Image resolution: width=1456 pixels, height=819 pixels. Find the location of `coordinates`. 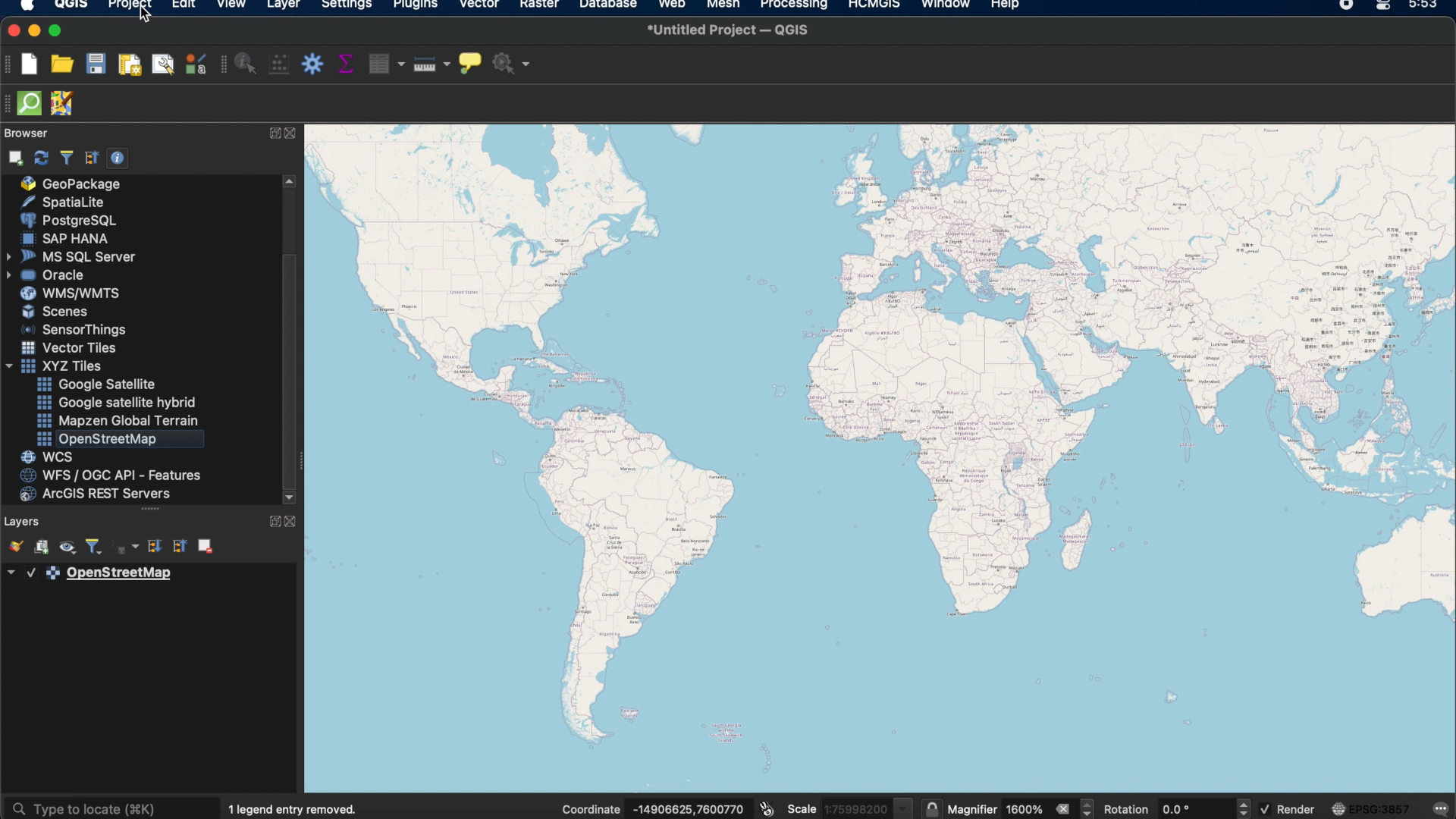

coordinates is located at coordinates (653, 807).